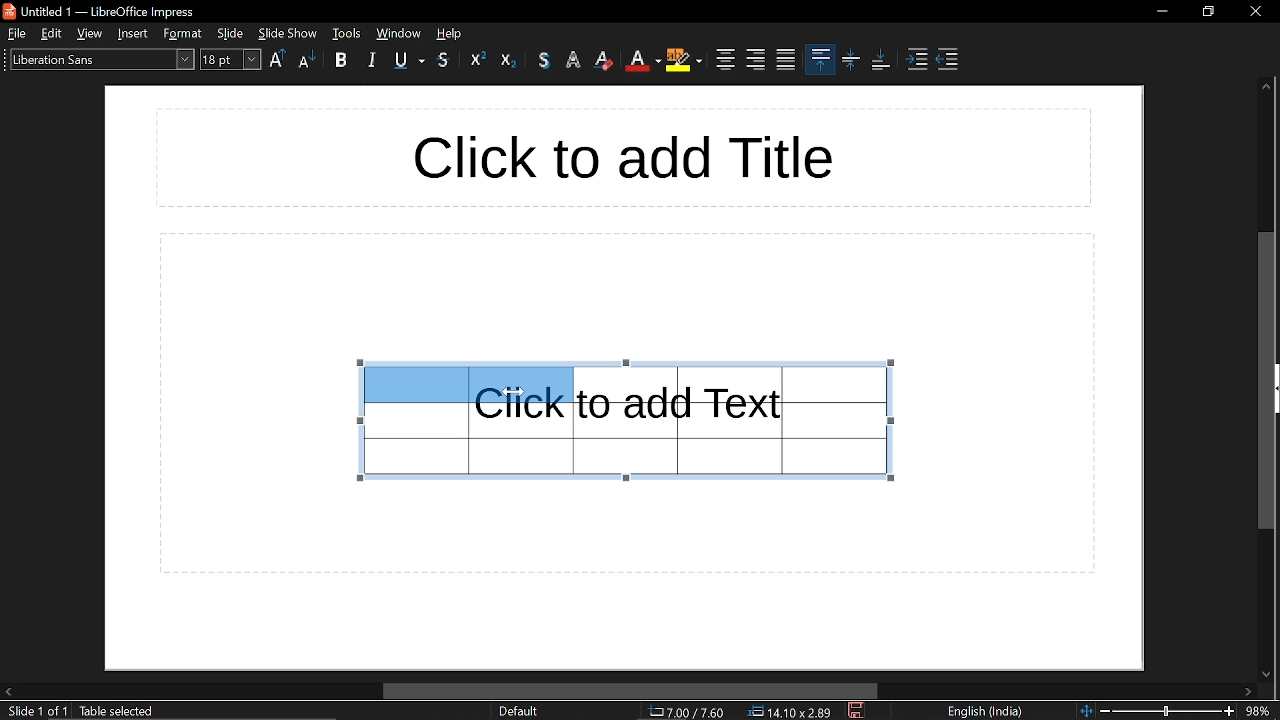  I want to click on move up, so click(1266, 89).